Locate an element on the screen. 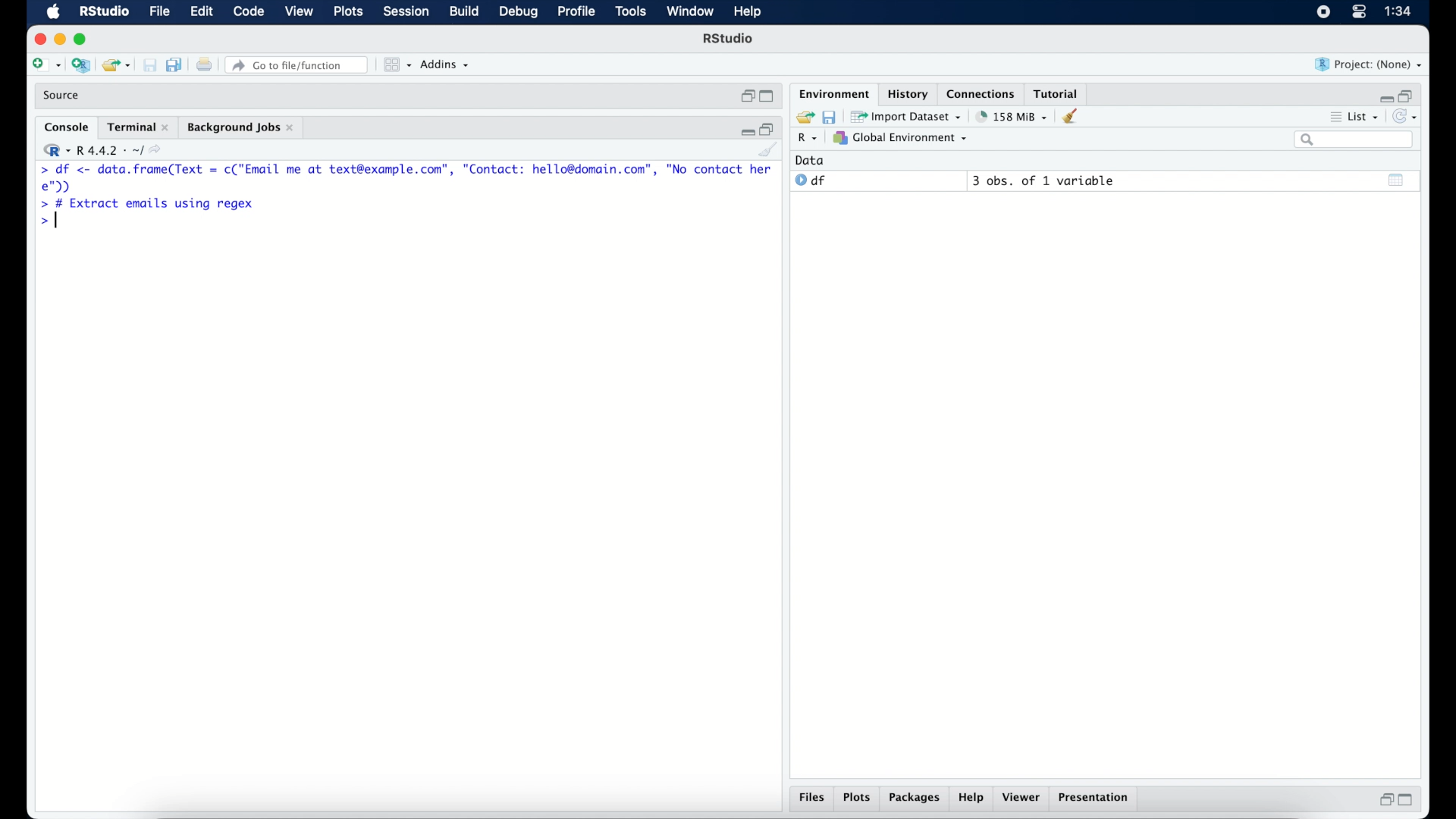 The width and height of the screenshot is (1456, 819). 3 obs, of 2 variables is located at coordinates (1047, 180).